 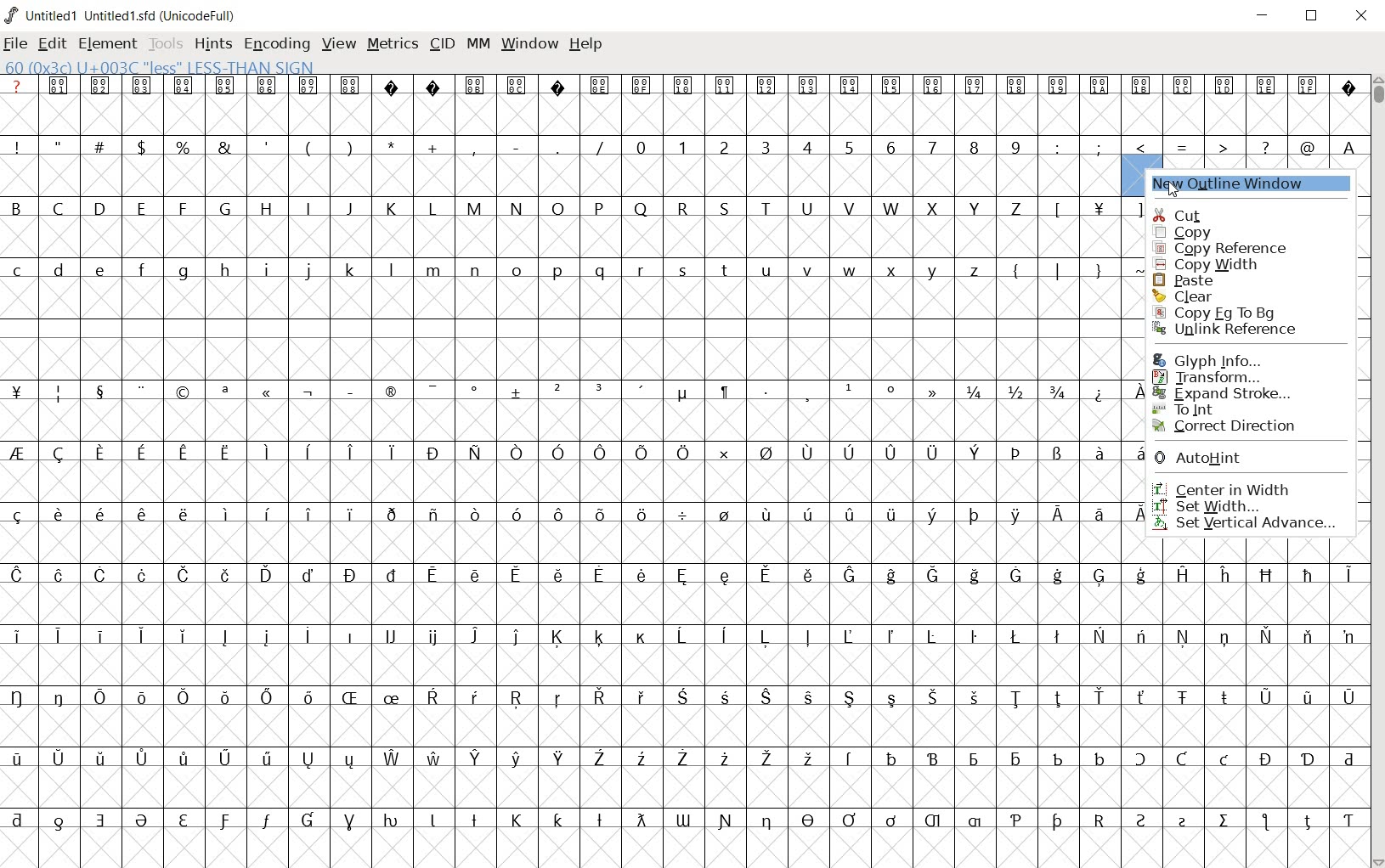 I want to click on copy reference, so click(x=1229, y=249).